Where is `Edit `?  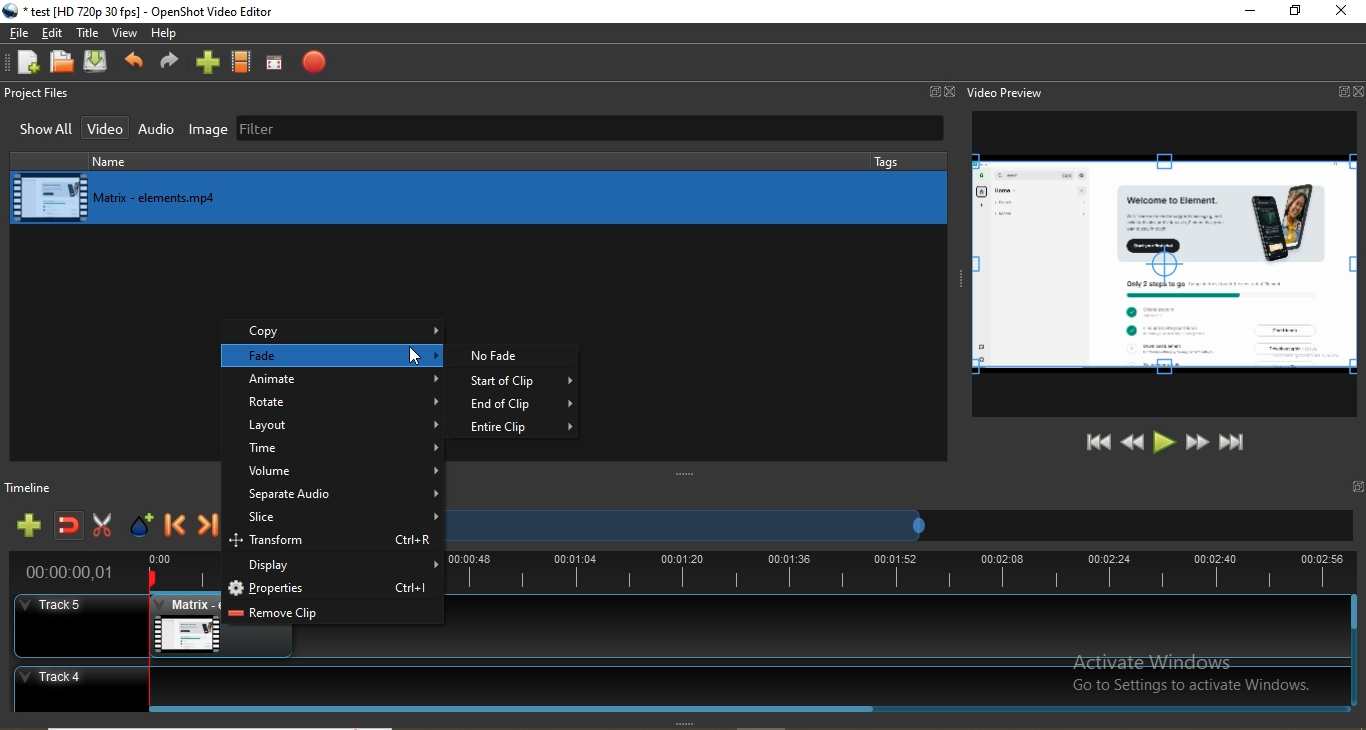
Edit  is located at coordinates (55, 33).